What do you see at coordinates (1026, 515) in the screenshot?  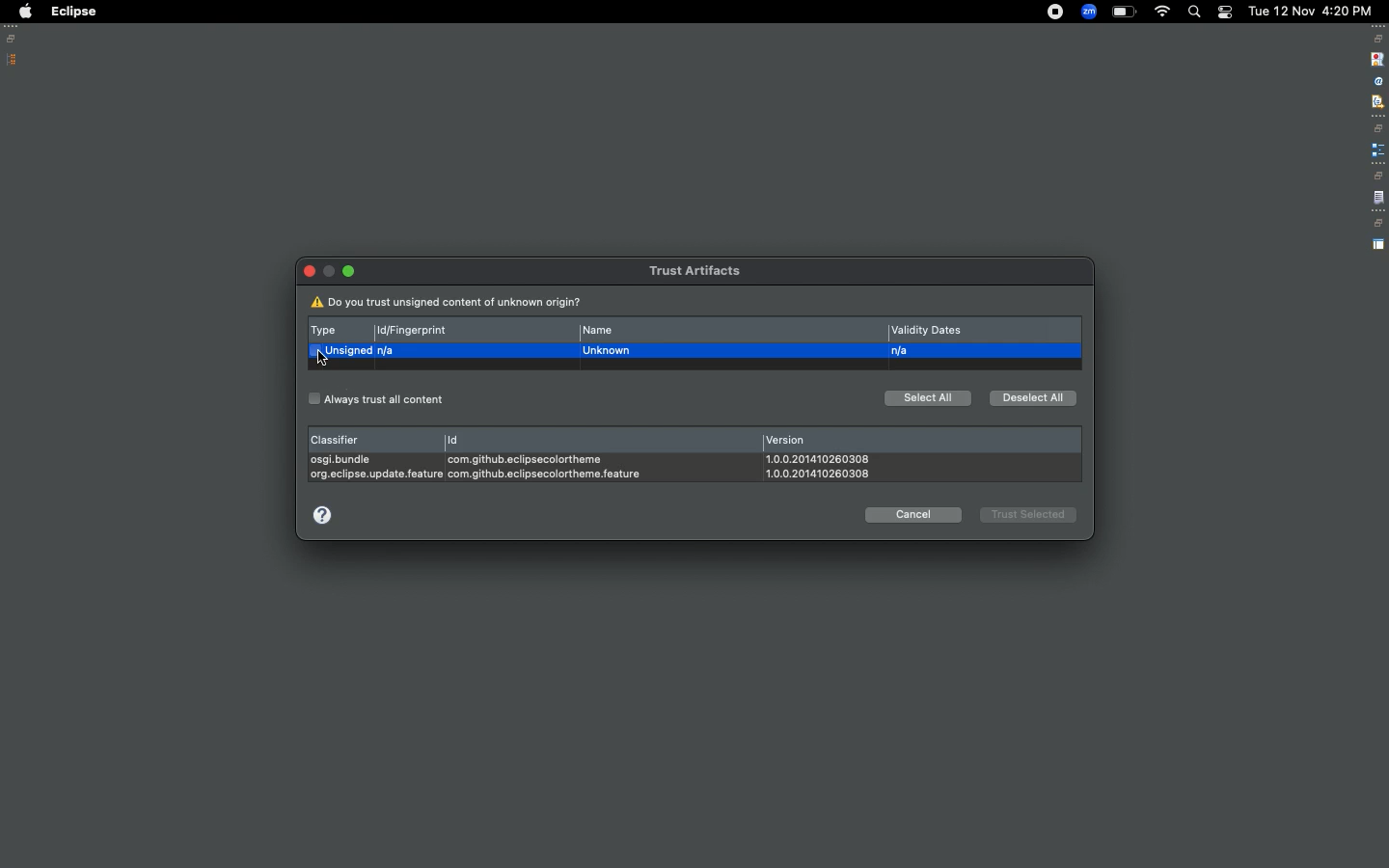 I see `Trust selected` at bounding box center [1026, 515].